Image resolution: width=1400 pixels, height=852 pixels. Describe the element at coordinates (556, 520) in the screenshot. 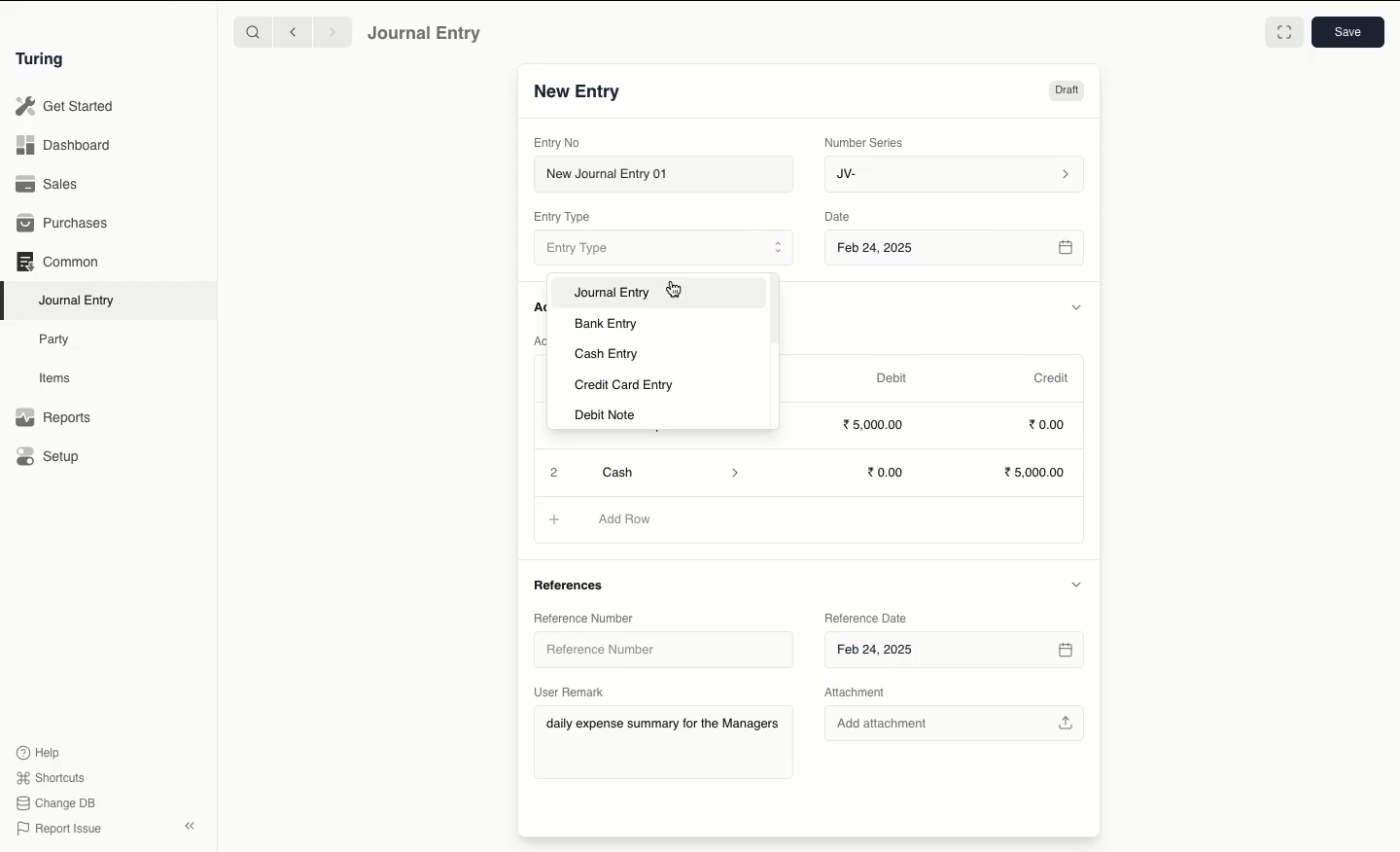

I see `Add` at that location.